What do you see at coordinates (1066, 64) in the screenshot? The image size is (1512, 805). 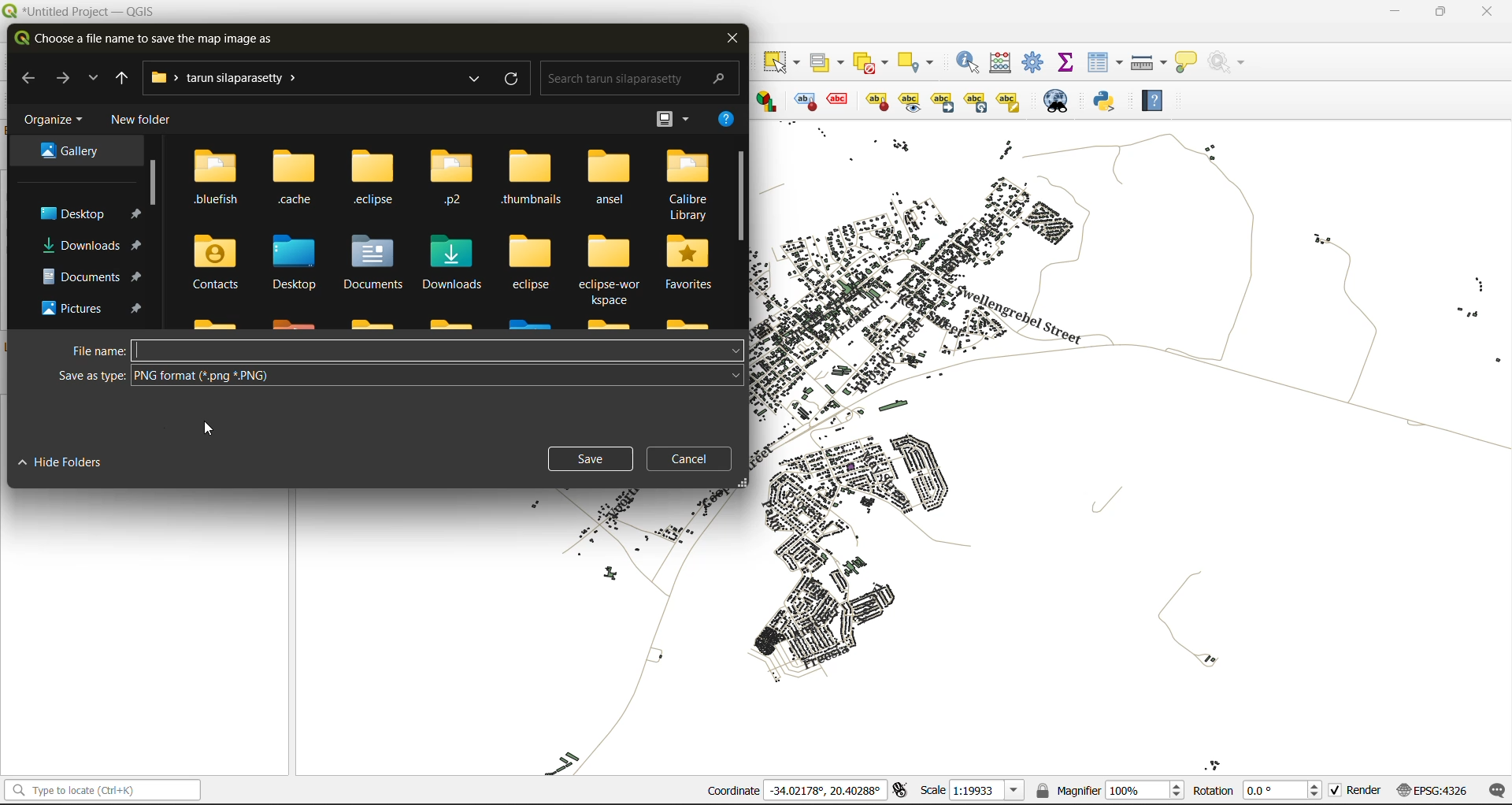 I see `statistical summary` at bounding box center [1066, 64].